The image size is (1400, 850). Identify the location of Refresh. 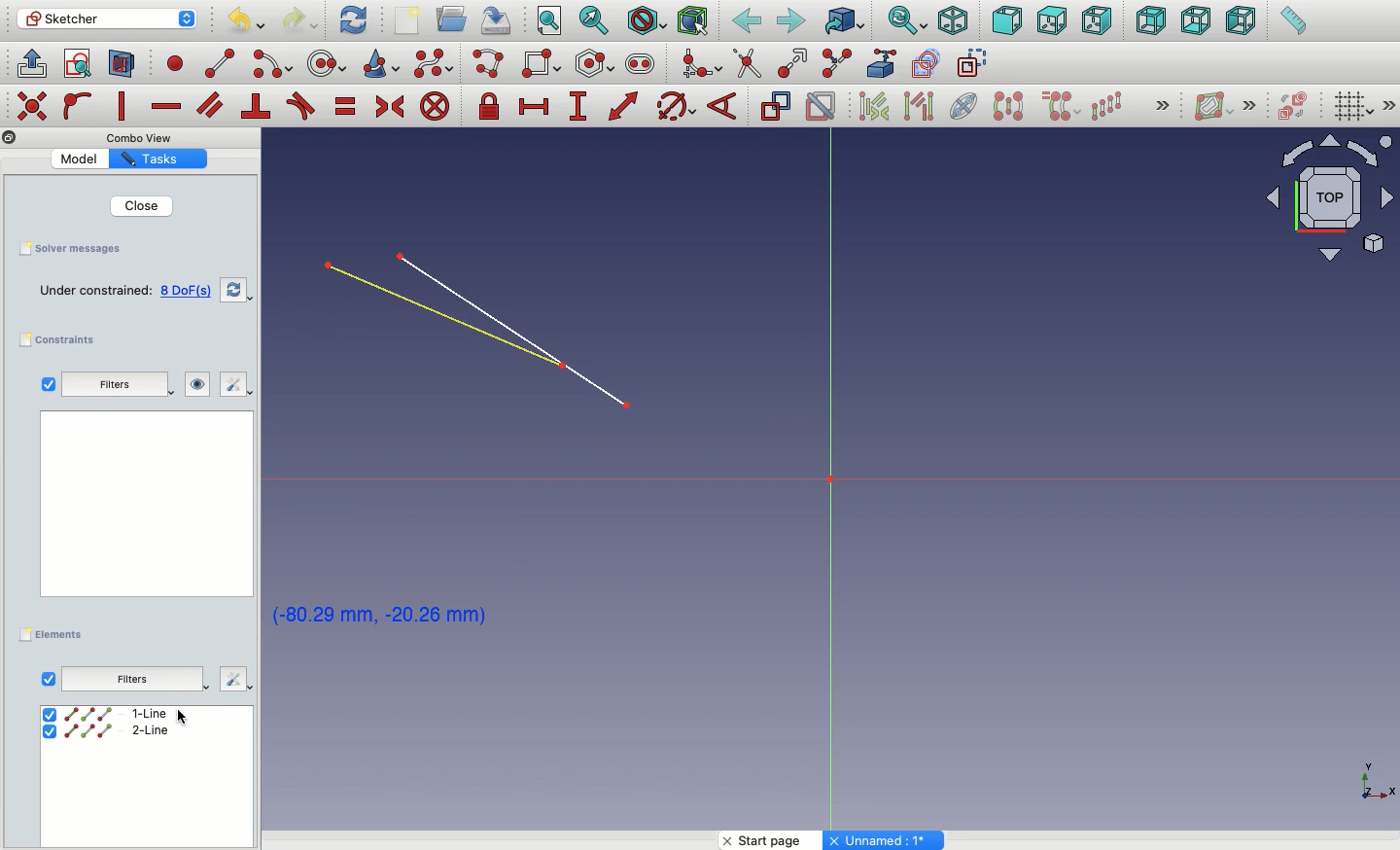
(233, 292).